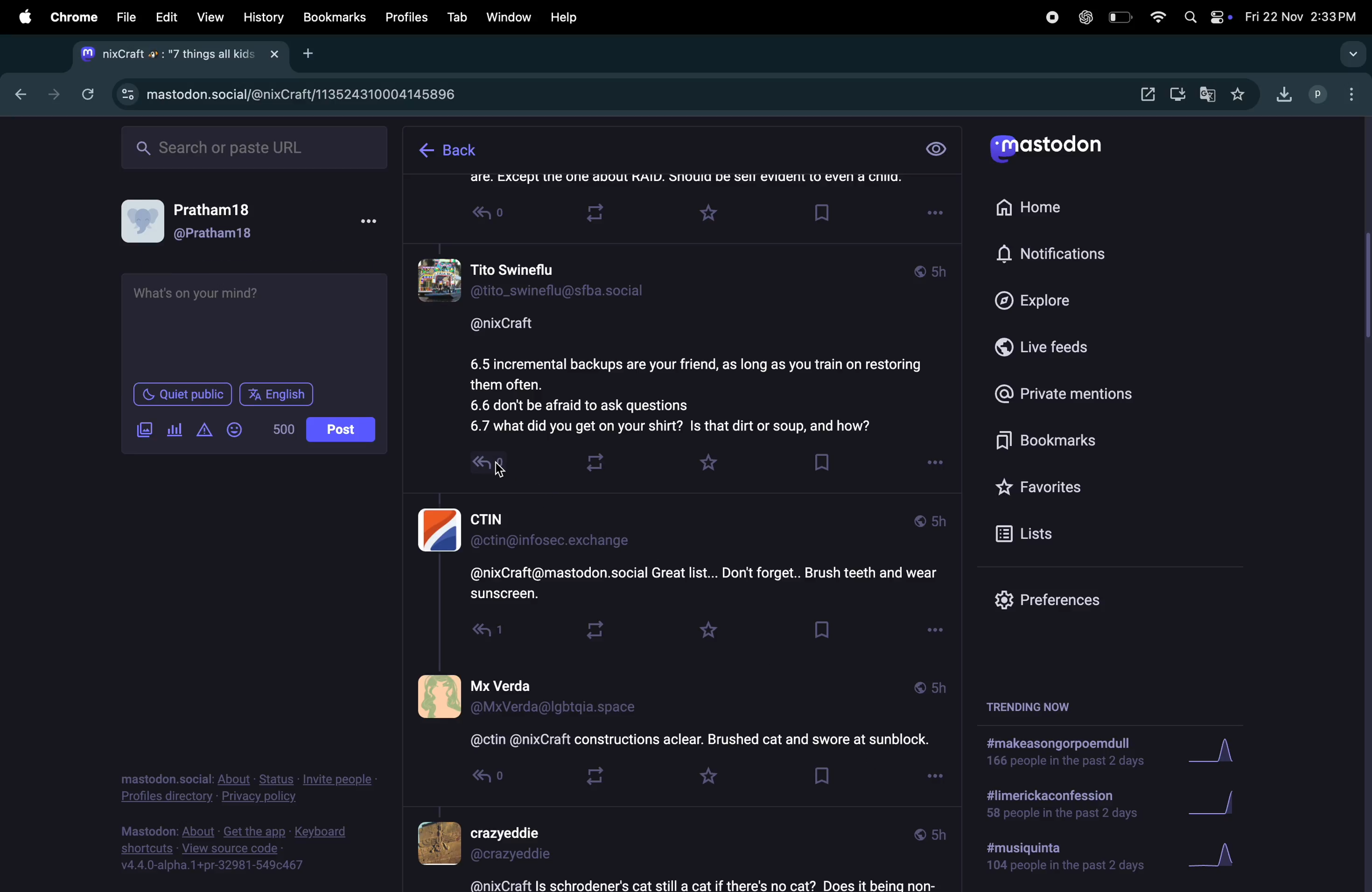  What do you see at coordinates (1053, 299) in the screenshot?
I see `explore` at bounding box center [1053, 299].